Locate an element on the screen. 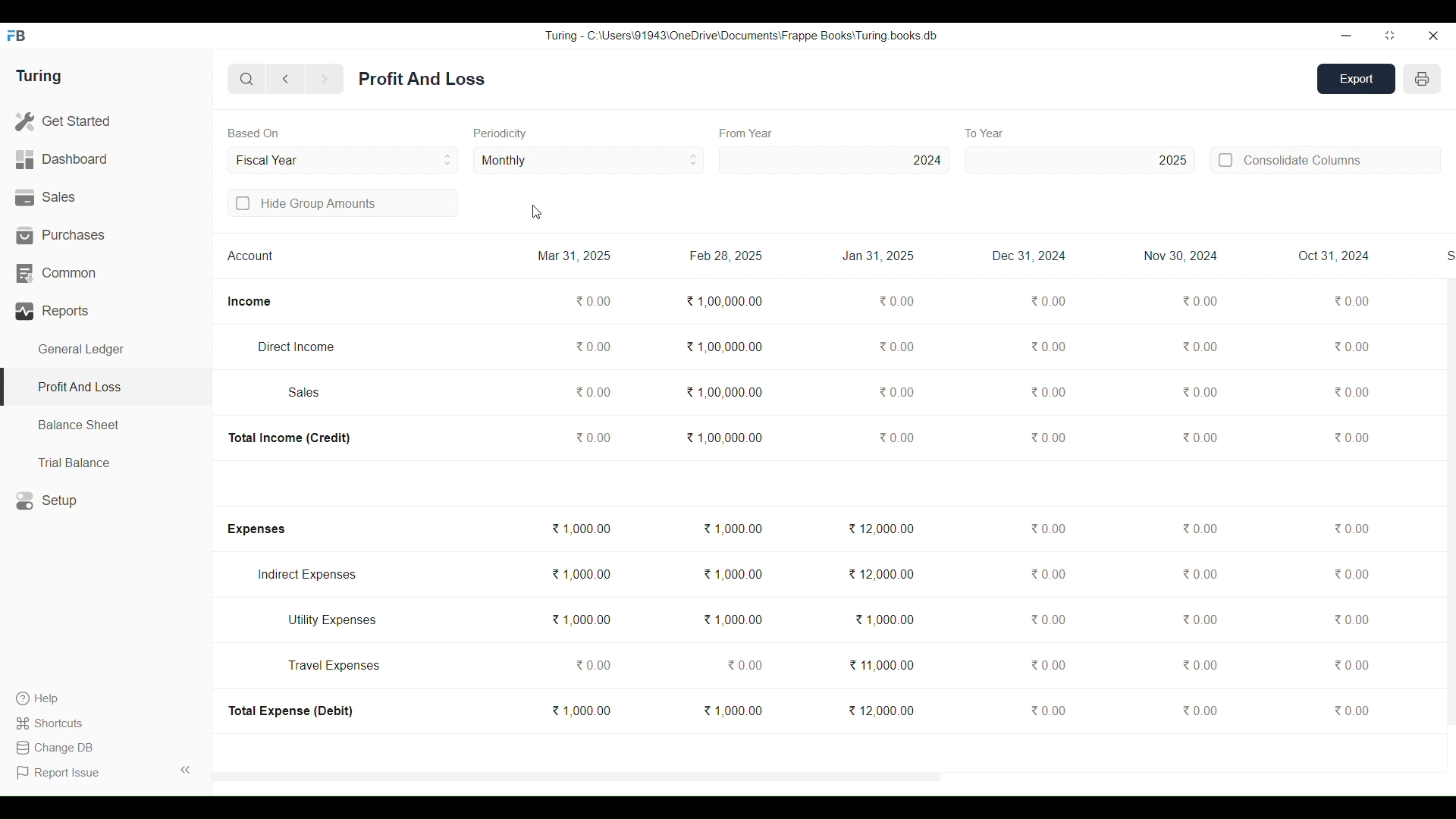 The image size is (1456, 819). Jan 31, 2025 is located at coordinates (879, 256).